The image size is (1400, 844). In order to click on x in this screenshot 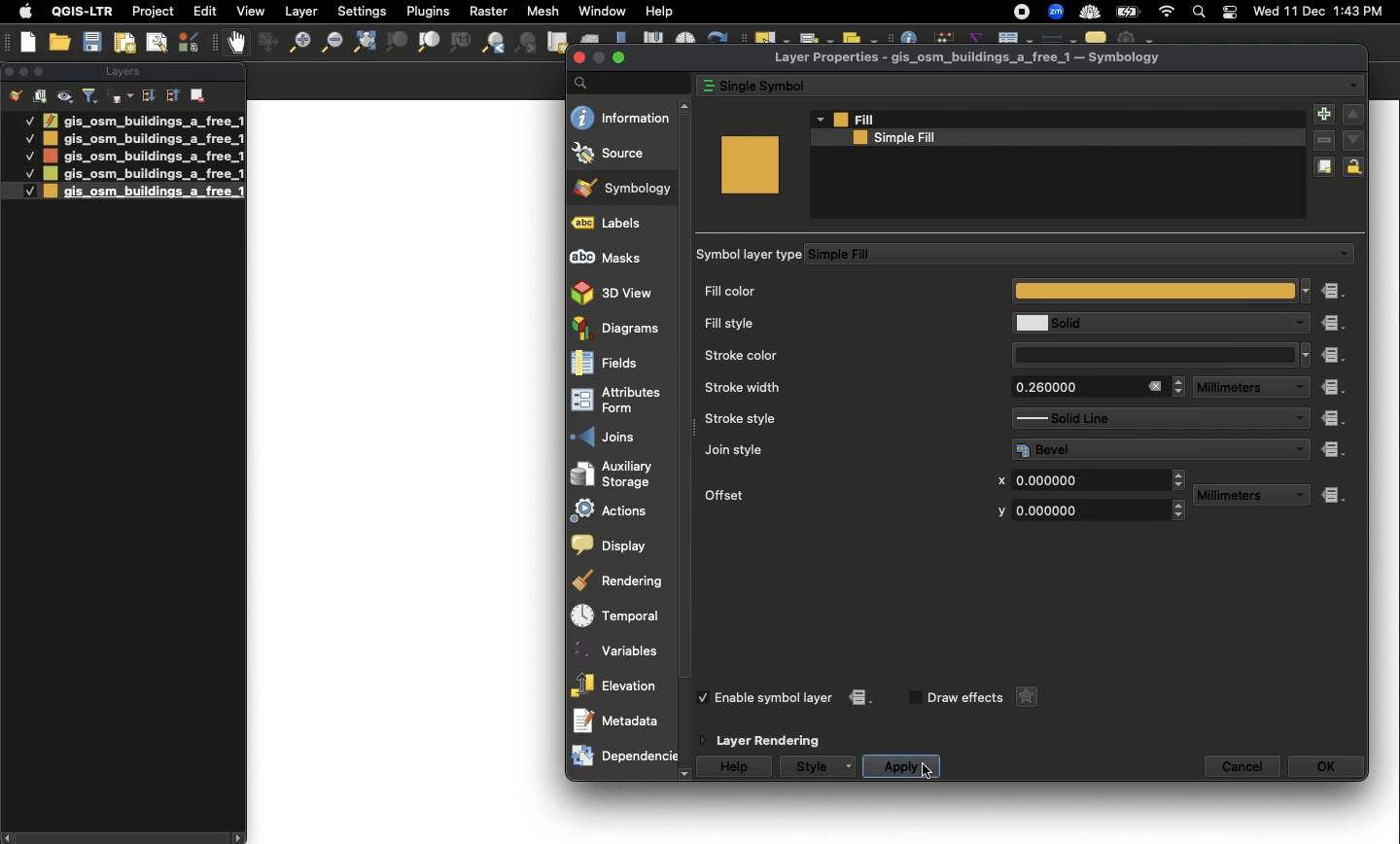, I will do `click(1000, 481)`.